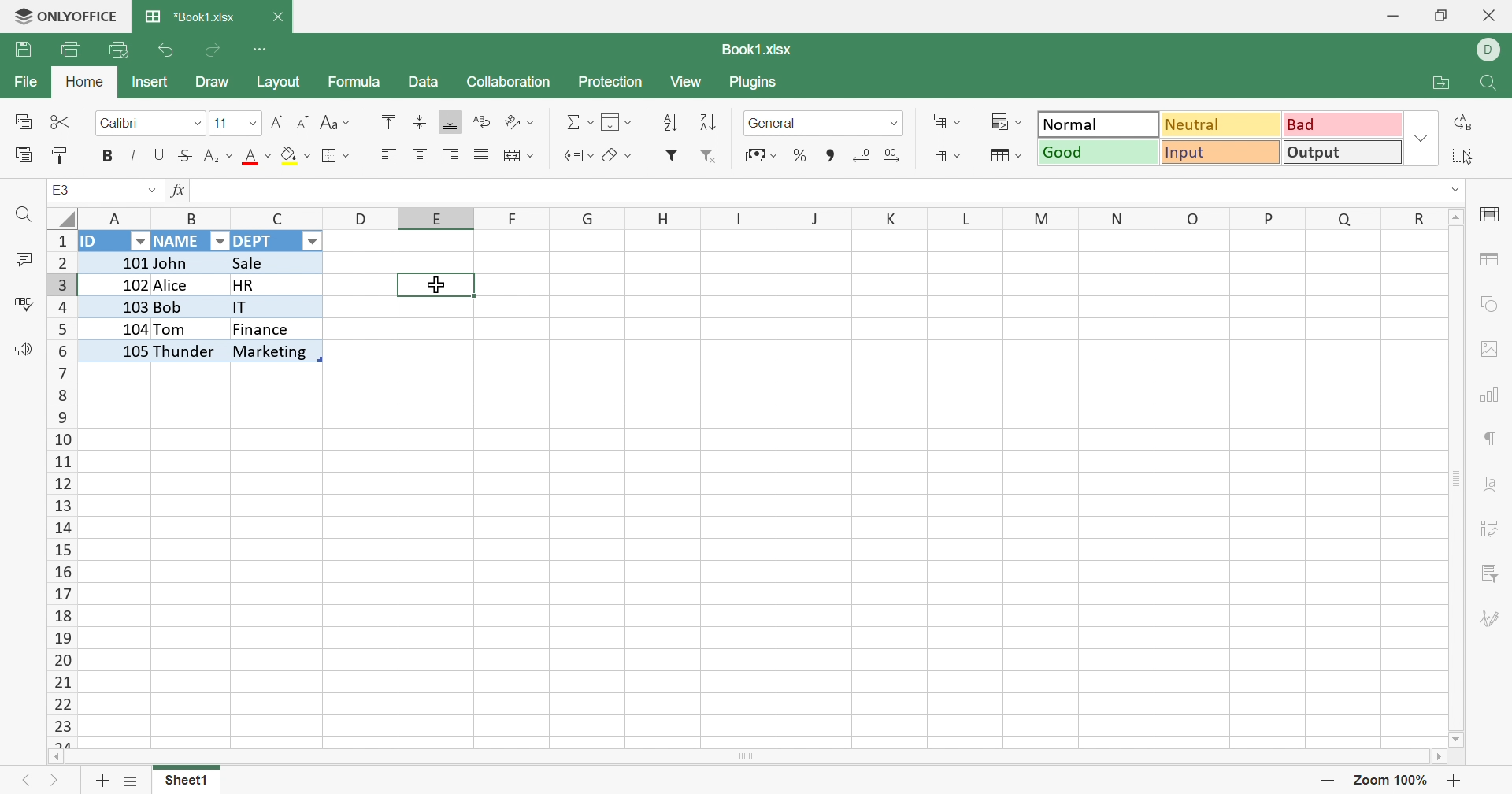 The height and width of the screenshot is (794, 1512). Describe the element at coordinates (333, 156) in the screenshot. I see `Borders` at that location.